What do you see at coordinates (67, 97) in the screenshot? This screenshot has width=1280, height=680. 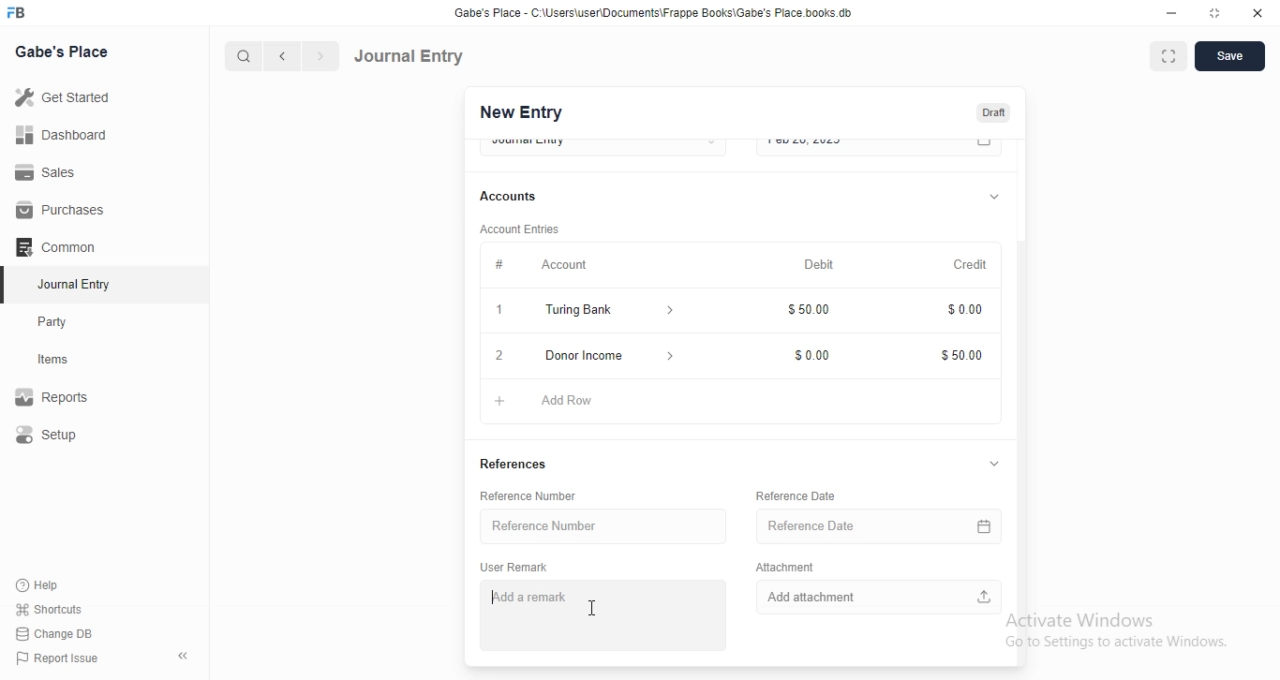 I see `Get Started` at bounding box center [67, 97].